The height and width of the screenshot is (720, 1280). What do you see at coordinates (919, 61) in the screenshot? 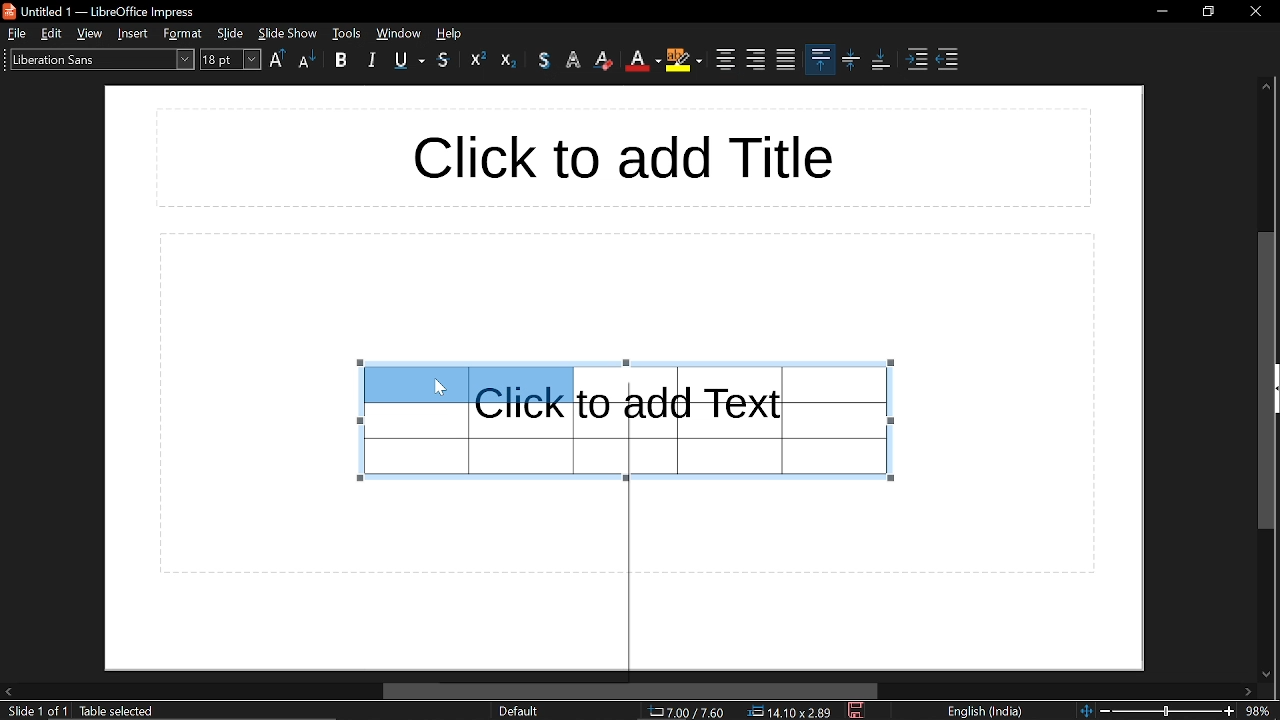
I see `Increase indent ` at bounding box center [919, 61].